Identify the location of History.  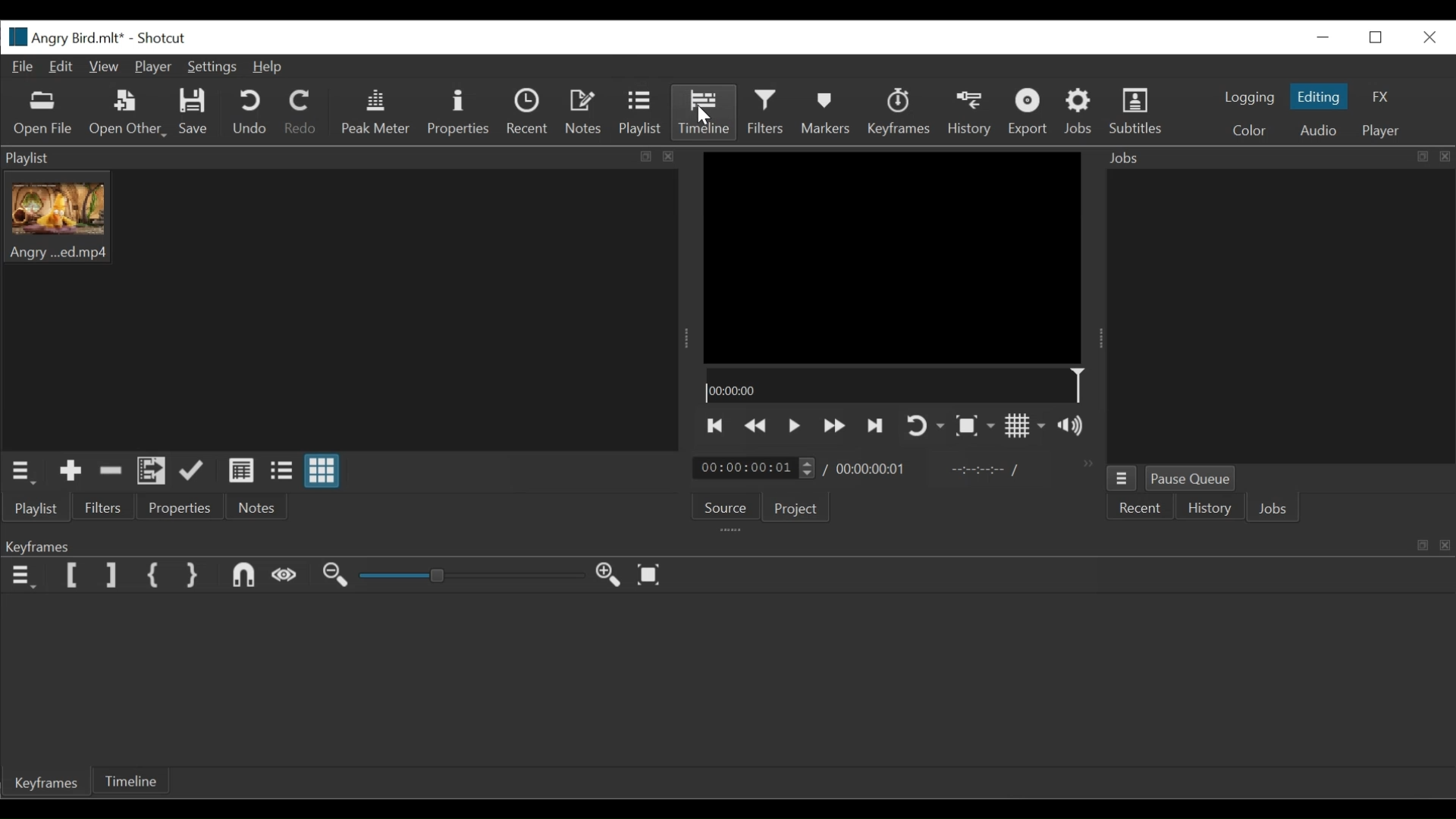
(971, 113).